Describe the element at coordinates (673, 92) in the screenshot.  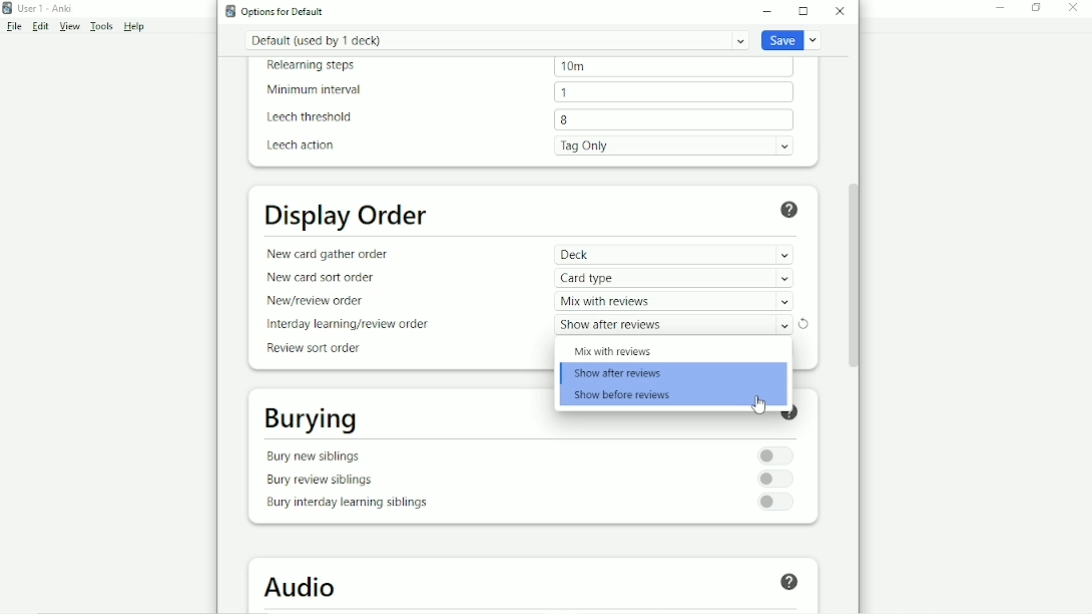
I see `1` at that location.